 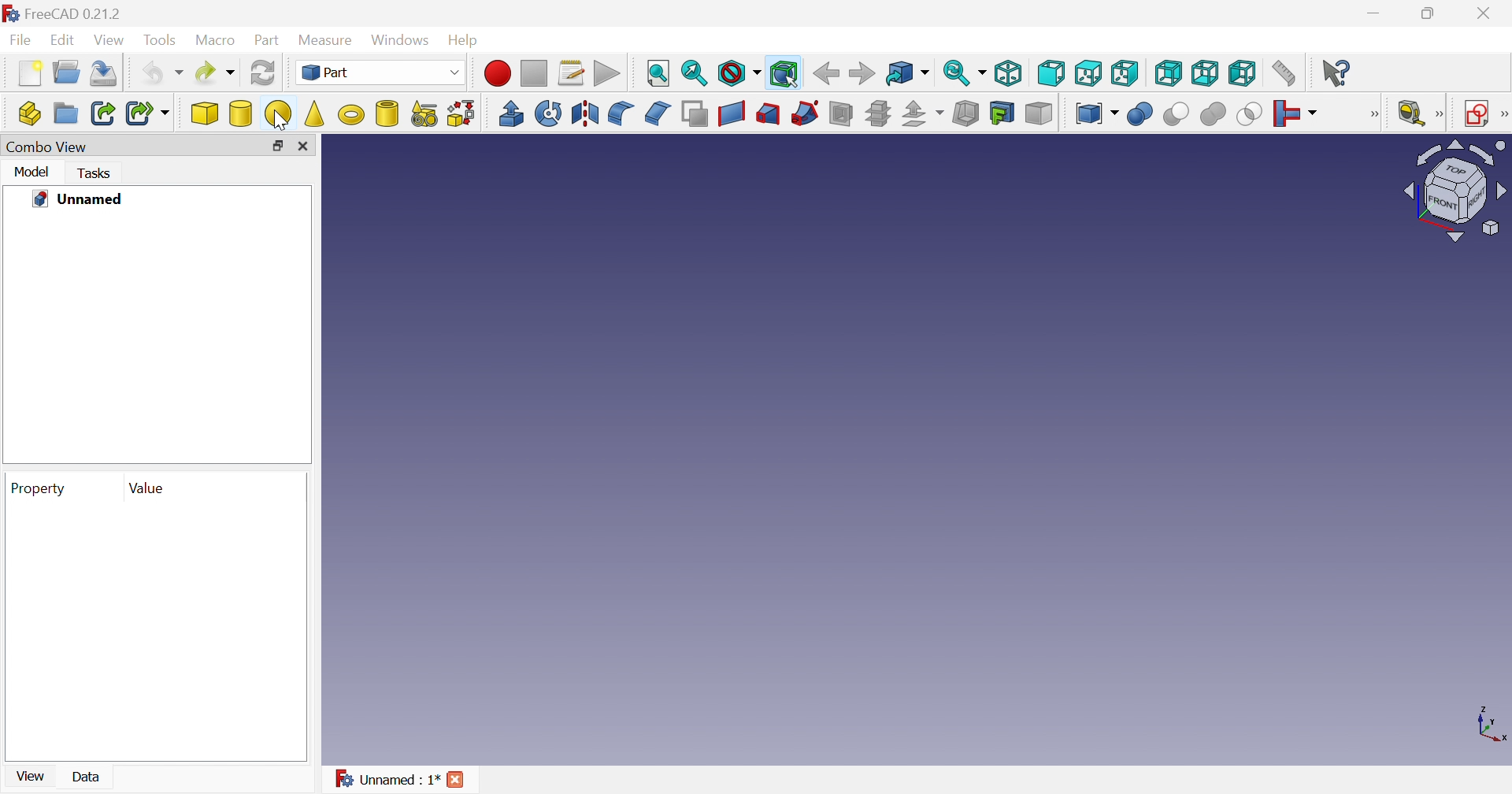 I want to click on Cylinder, so click(x=240, y=113).